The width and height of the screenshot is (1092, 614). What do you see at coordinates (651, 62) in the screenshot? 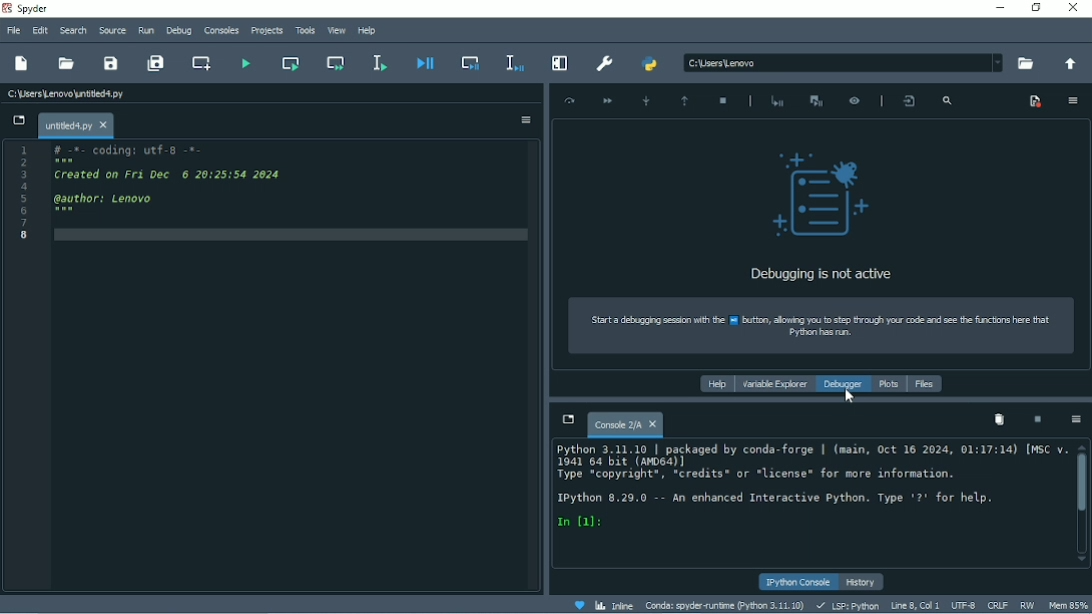
I see `PYTHONPATH manager` at bounding box center [651, 62].